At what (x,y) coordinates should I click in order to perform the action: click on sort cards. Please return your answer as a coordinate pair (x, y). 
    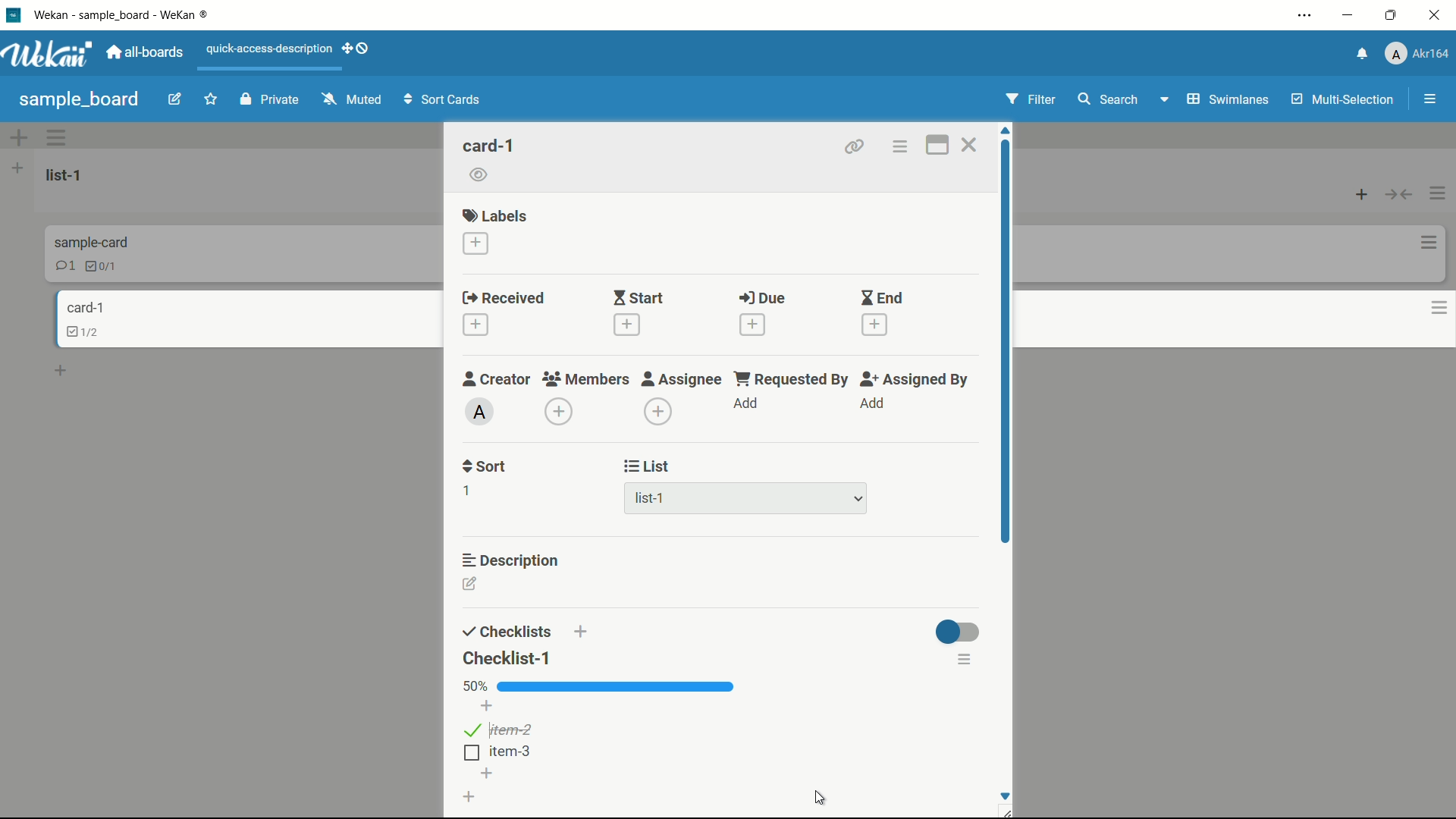
    Looking at the image, I should click on (445, 101).